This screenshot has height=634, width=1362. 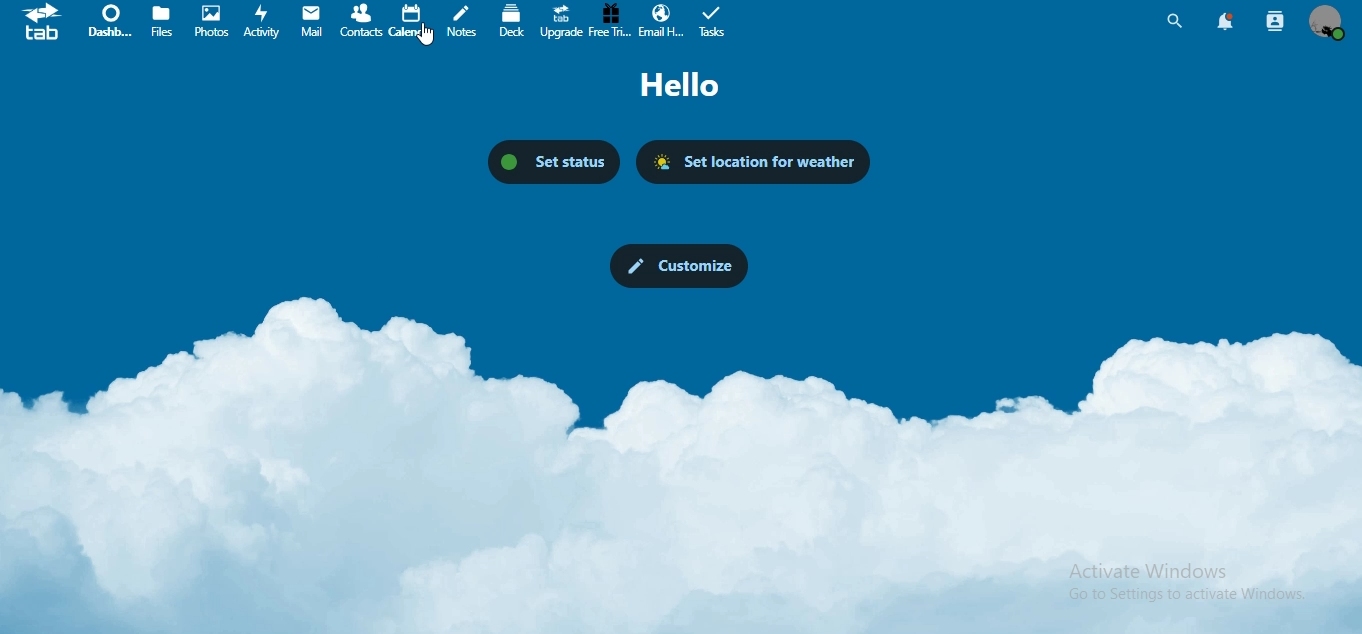 What do you see at coordinates (1174, 21) in the screenshot?
I see `search` at bounding box center [1174, 21].